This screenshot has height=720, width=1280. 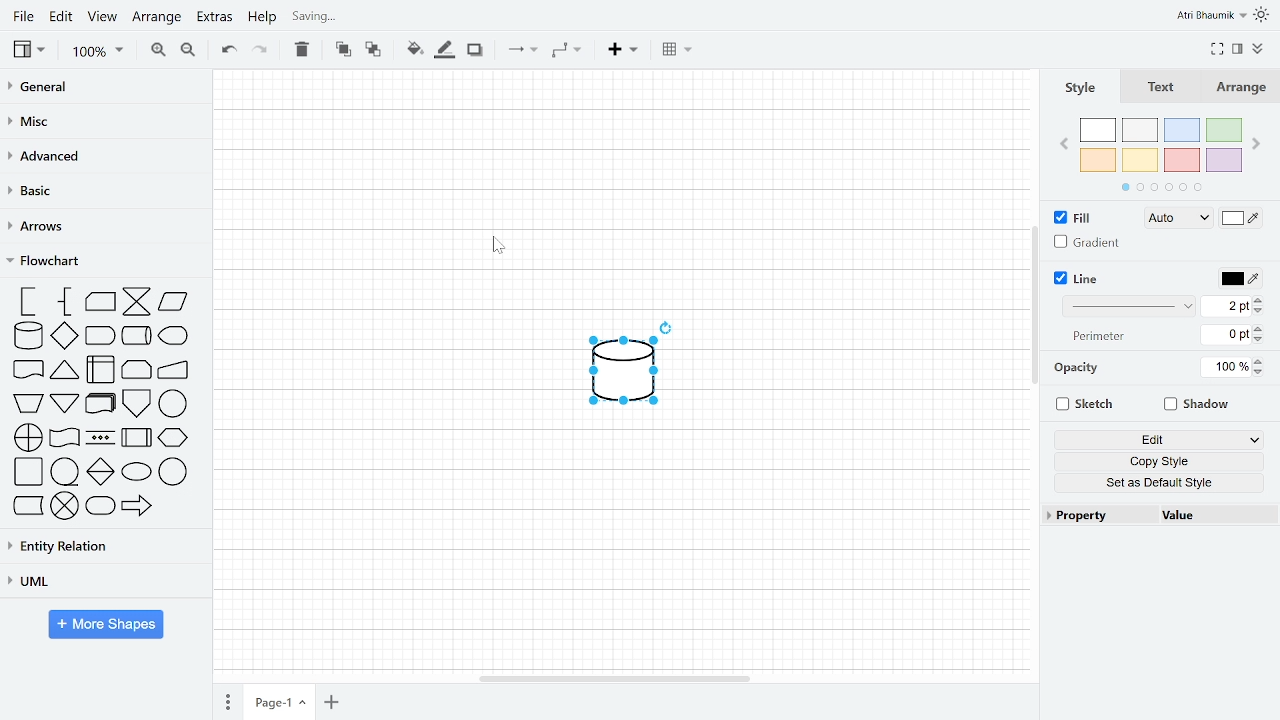 What do you see at coordinates (1179, 219) in the screenshot?
I see `Fill style` at bounding box center [1179, 219].